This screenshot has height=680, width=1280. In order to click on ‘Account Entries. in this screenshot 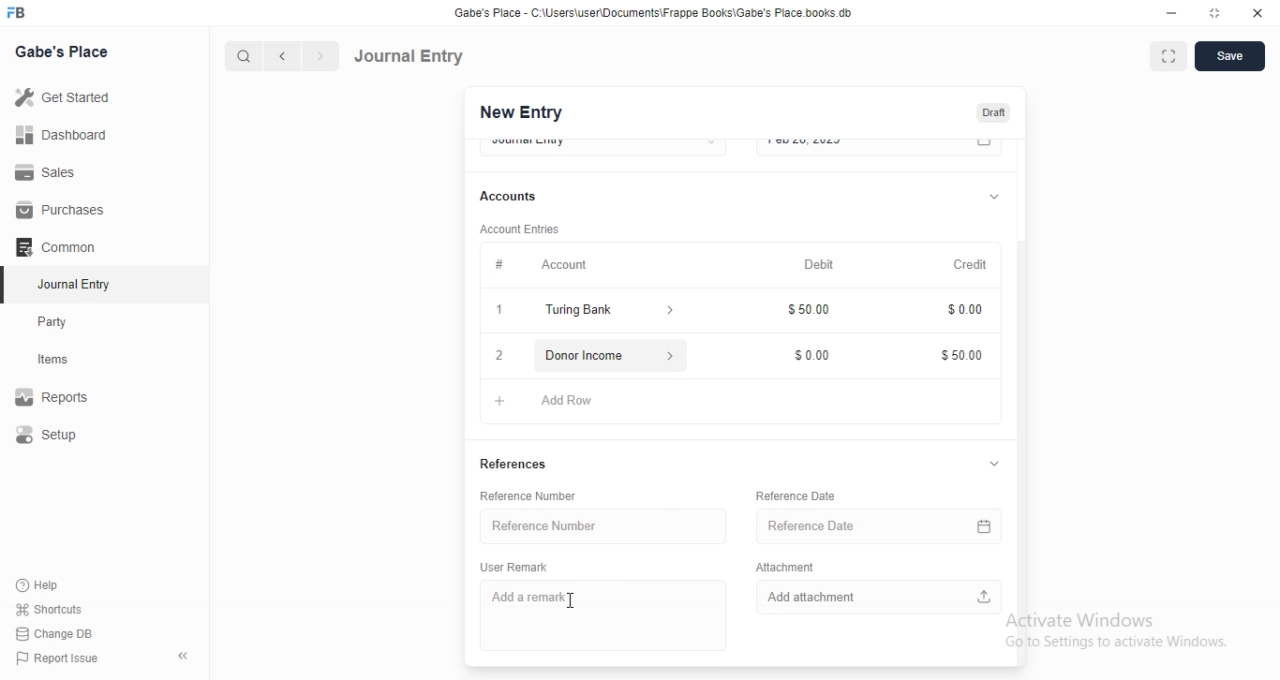, I will do `click(522, 232)`.